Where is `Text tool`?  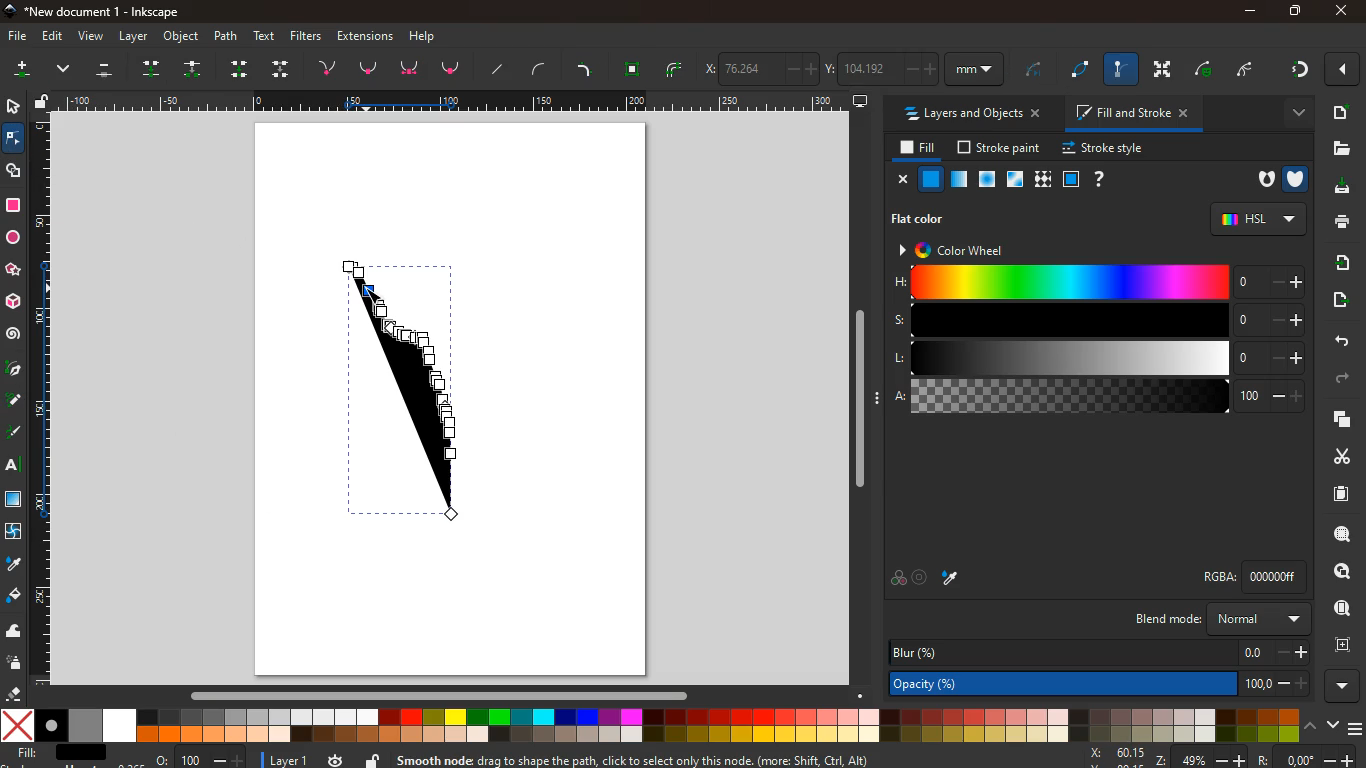
Text tool is located at coordinates (18, 465).